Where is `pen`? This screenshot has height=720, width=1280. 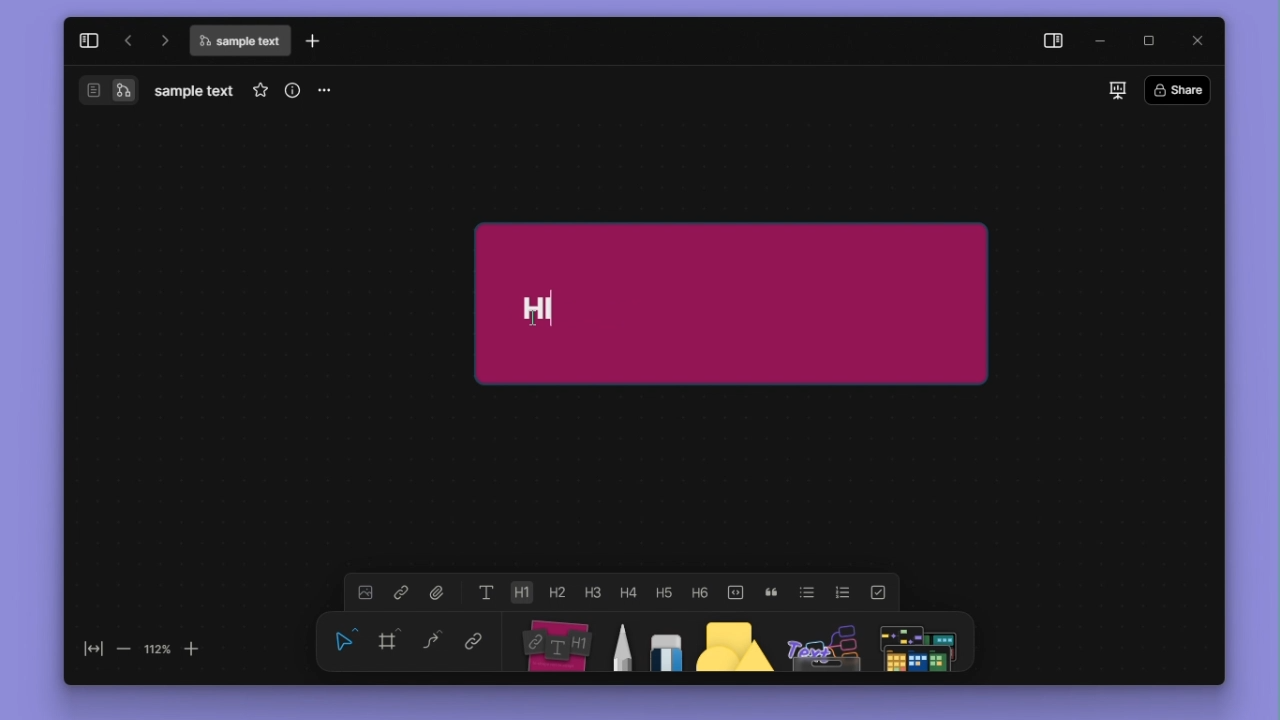 pen is located at coordinates (625, 642).